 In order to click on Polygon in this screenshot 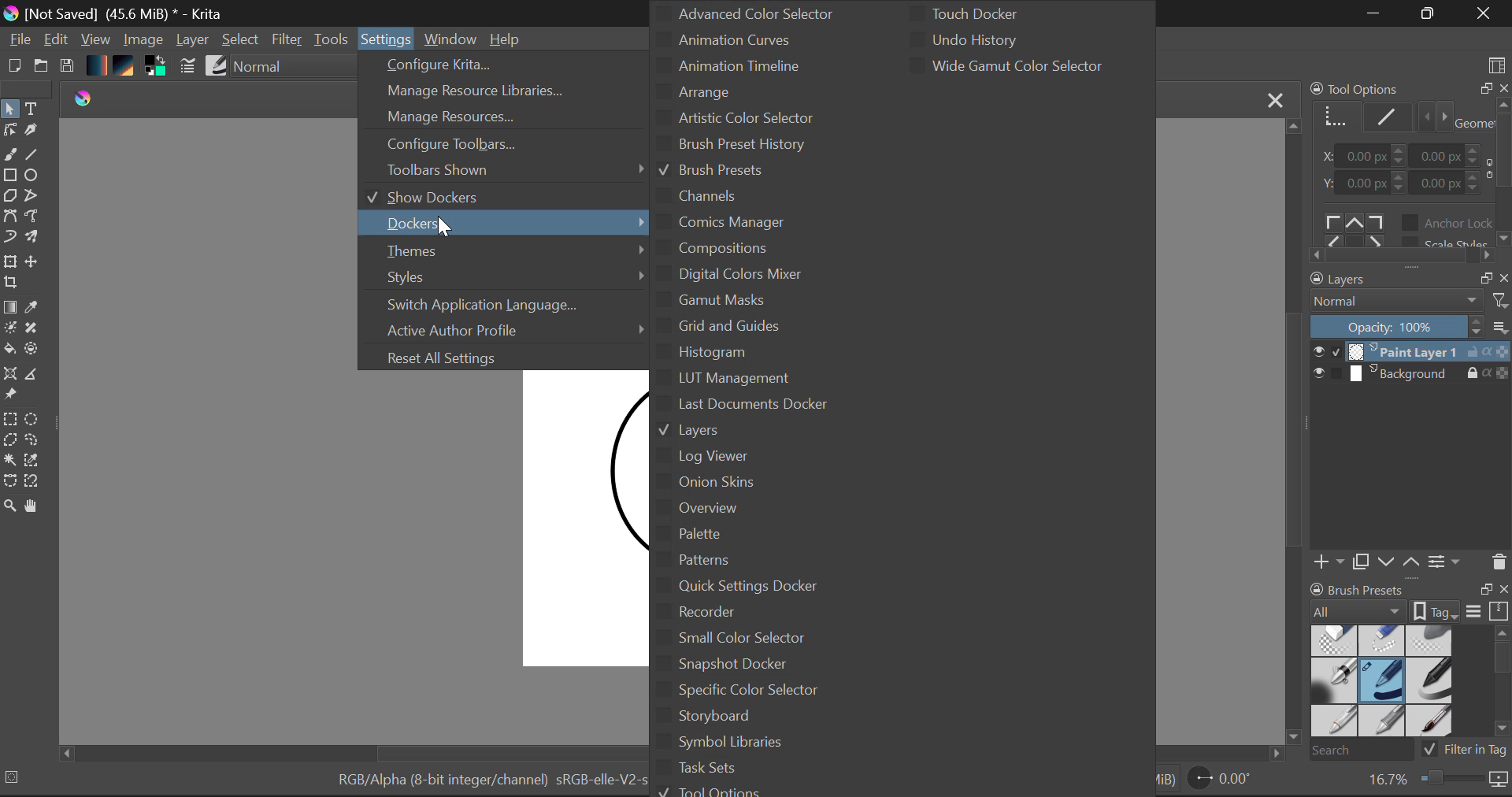, I will do `click(9, 197)`.